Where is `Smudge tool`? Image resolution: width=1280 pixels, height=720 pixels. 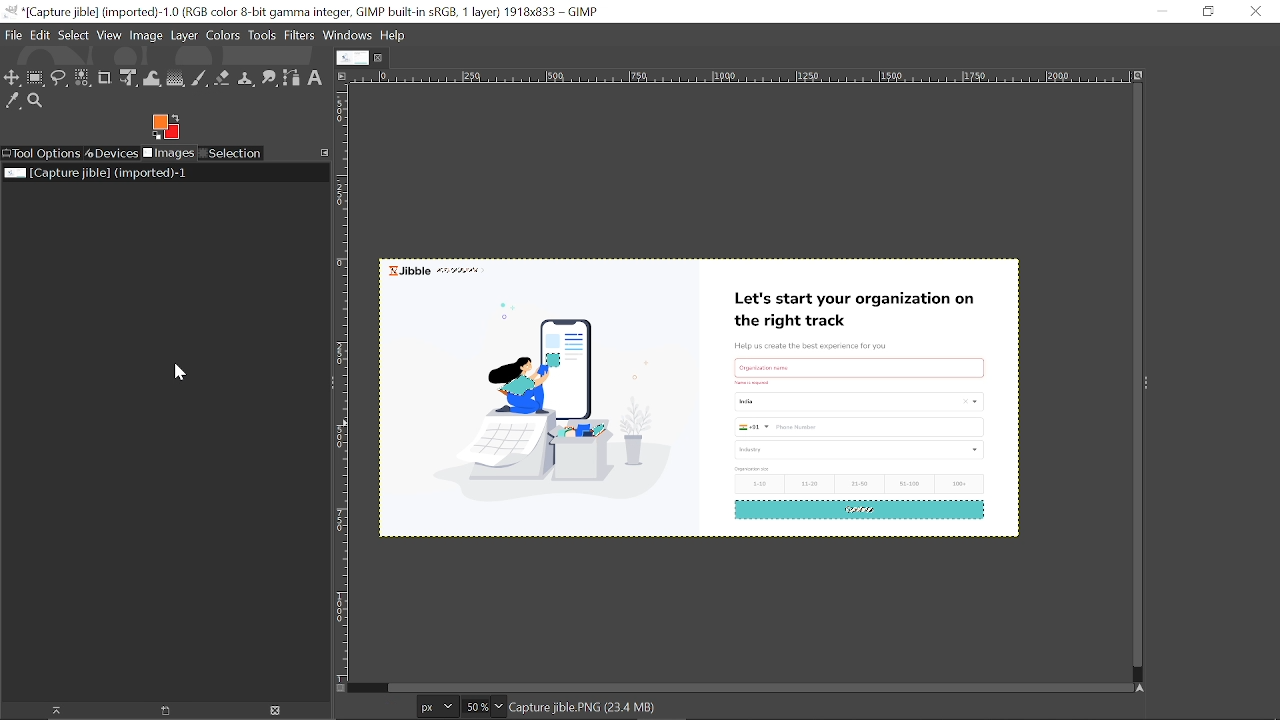 Smudge tool is located at coordinates (269, 78).